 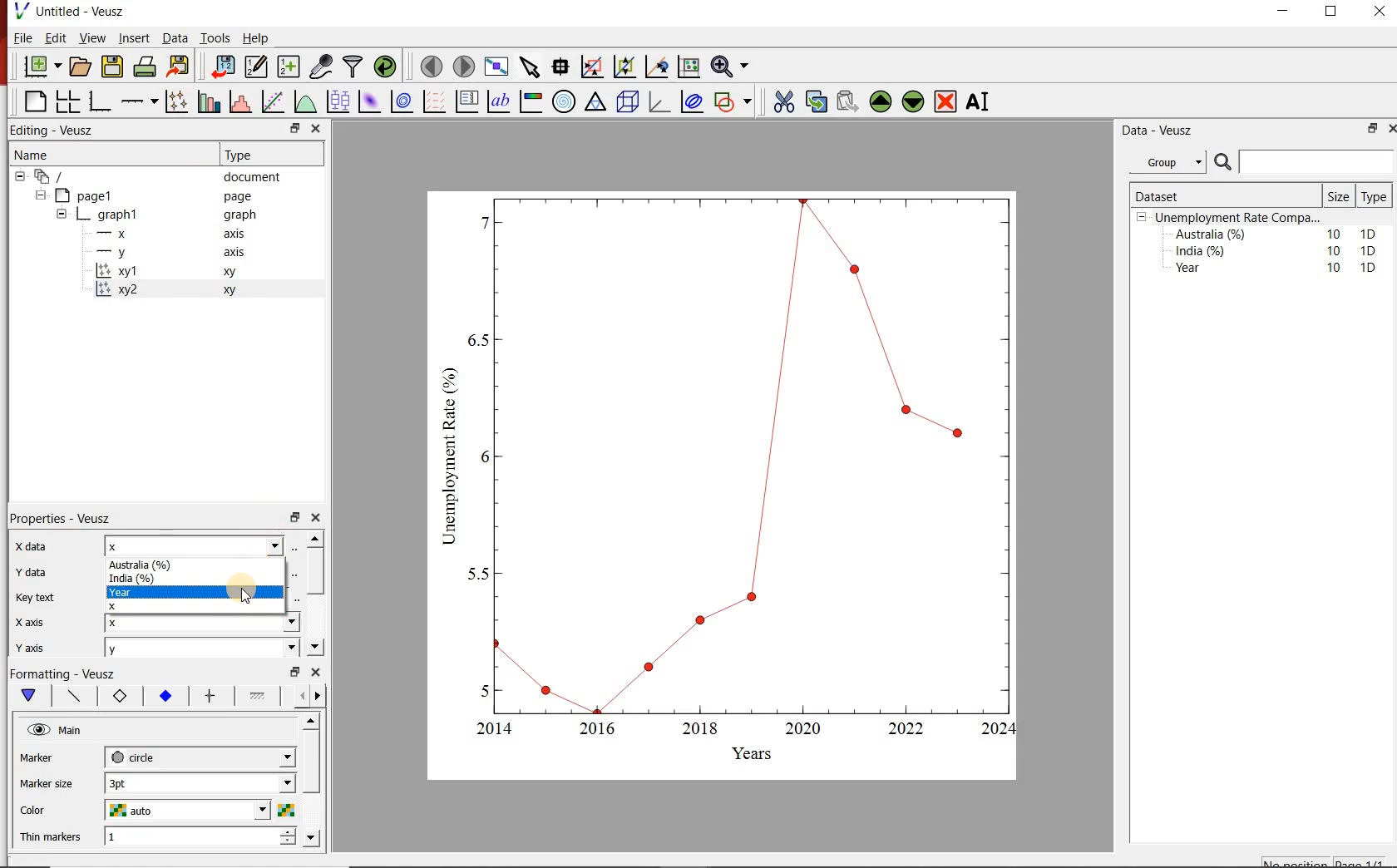 I want to click on Year 10 1D, so click(x=1281, y=269).